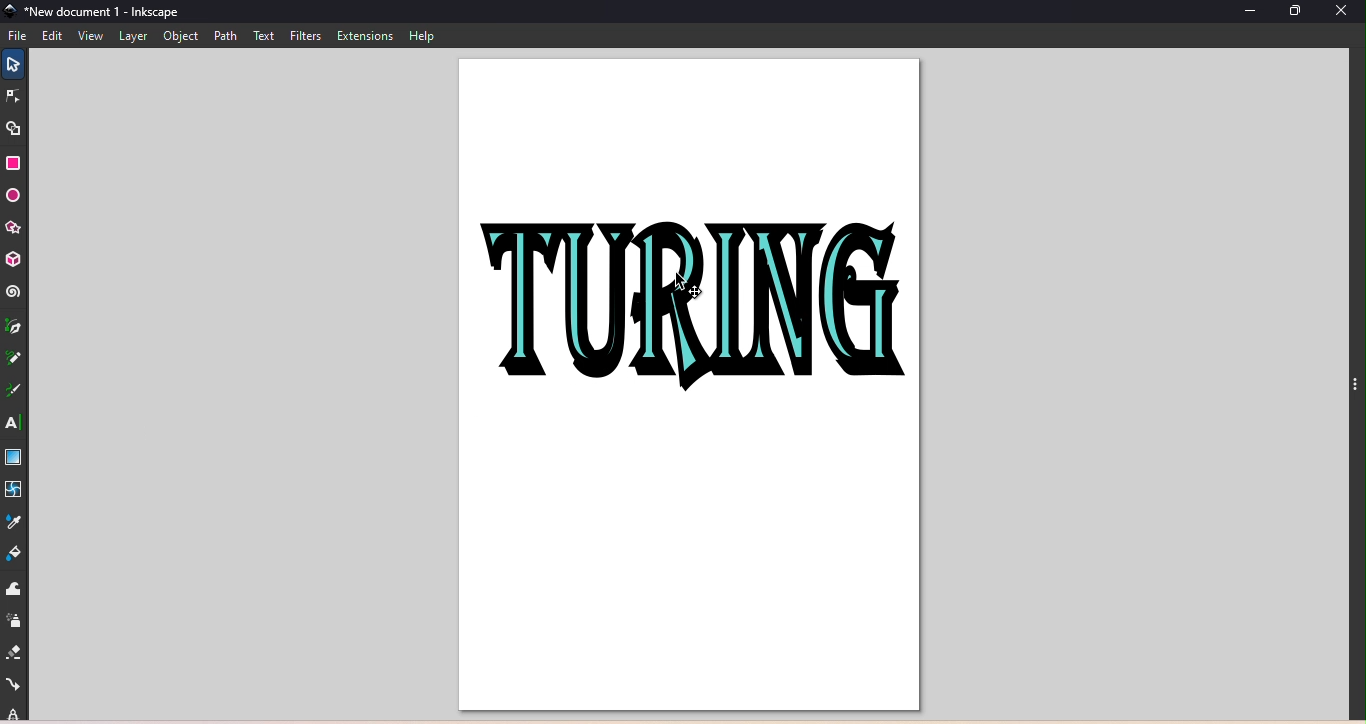 This screenshot has height=724, width=1366. What do you see at coordinates (1347, 14) in the screenshot?
I see `Close` at bounding box center [1347, 14].